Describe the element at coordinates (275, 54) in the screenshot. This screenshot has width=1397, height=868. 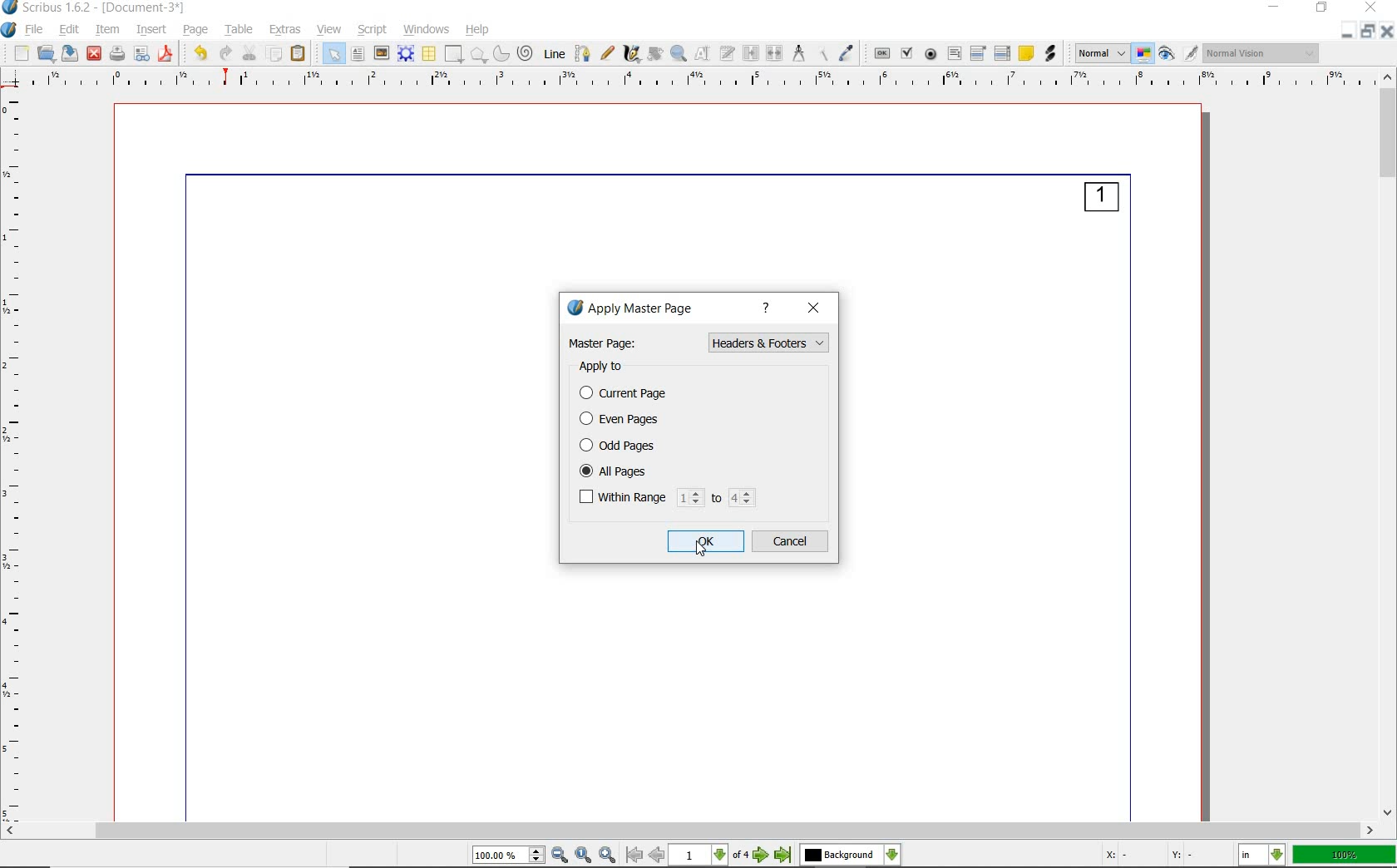
I see `copy` at that location.